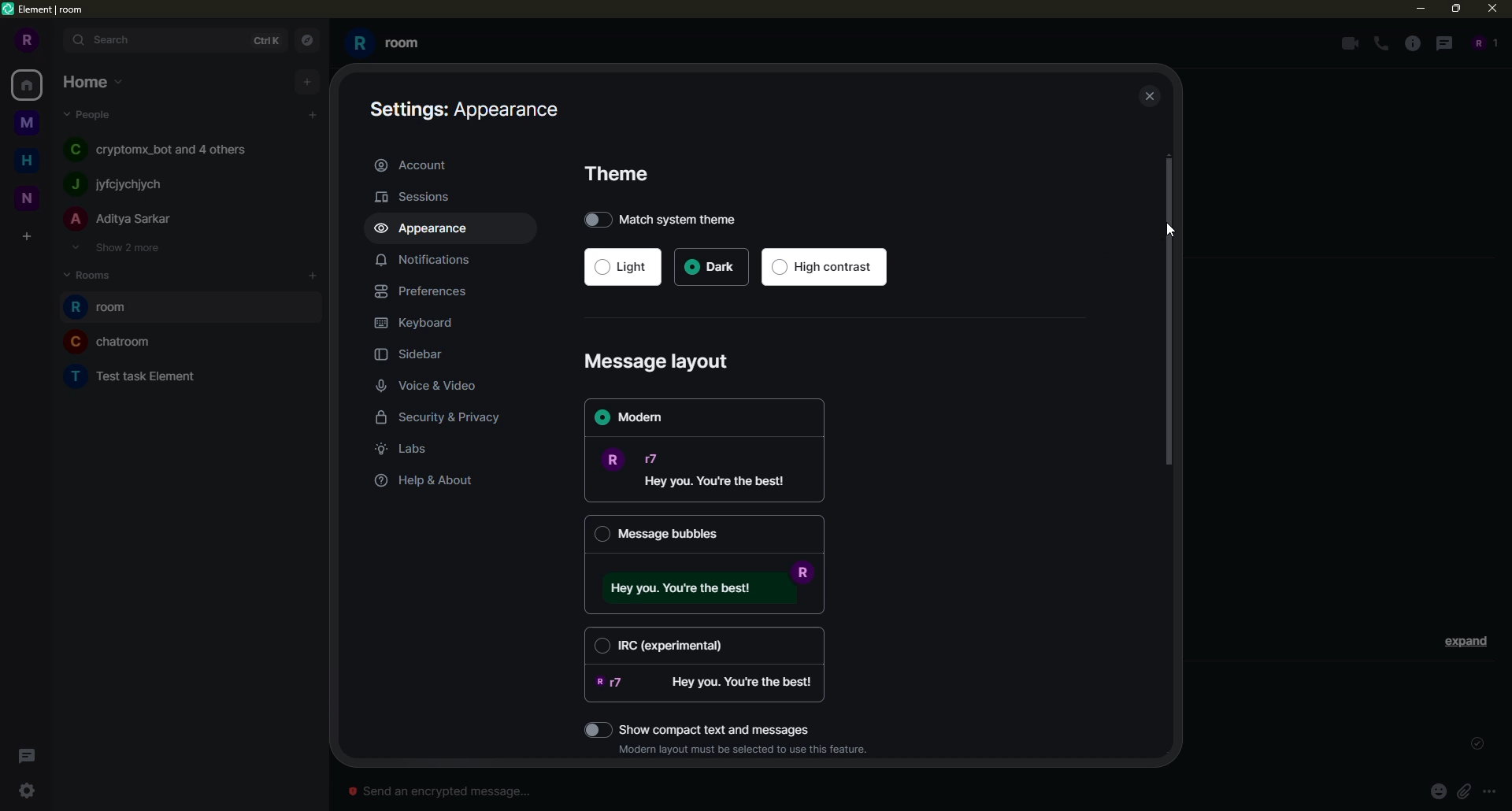 The image size is (1512, 811). What do you see at coordinates (1482, 43) in the screenshot?
I see `people` at bounding box center [1482, 43].